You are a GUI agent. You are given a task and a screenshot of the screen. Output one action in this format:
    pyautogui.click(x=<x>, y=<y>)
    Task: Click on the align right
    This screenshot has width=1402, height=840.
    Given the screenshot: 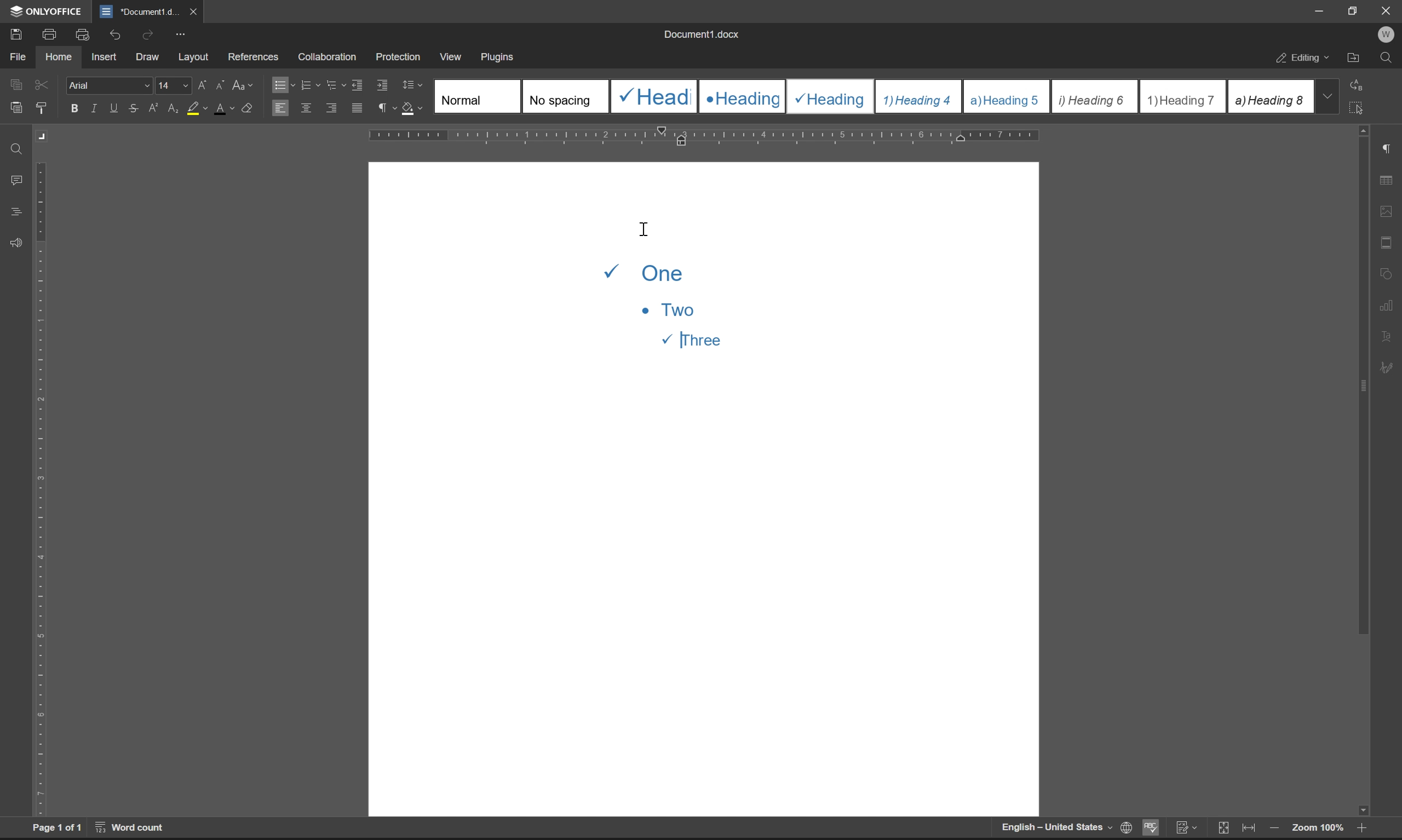 What is the action you would take?
    pyautogui.click(x=333, y=107)
    